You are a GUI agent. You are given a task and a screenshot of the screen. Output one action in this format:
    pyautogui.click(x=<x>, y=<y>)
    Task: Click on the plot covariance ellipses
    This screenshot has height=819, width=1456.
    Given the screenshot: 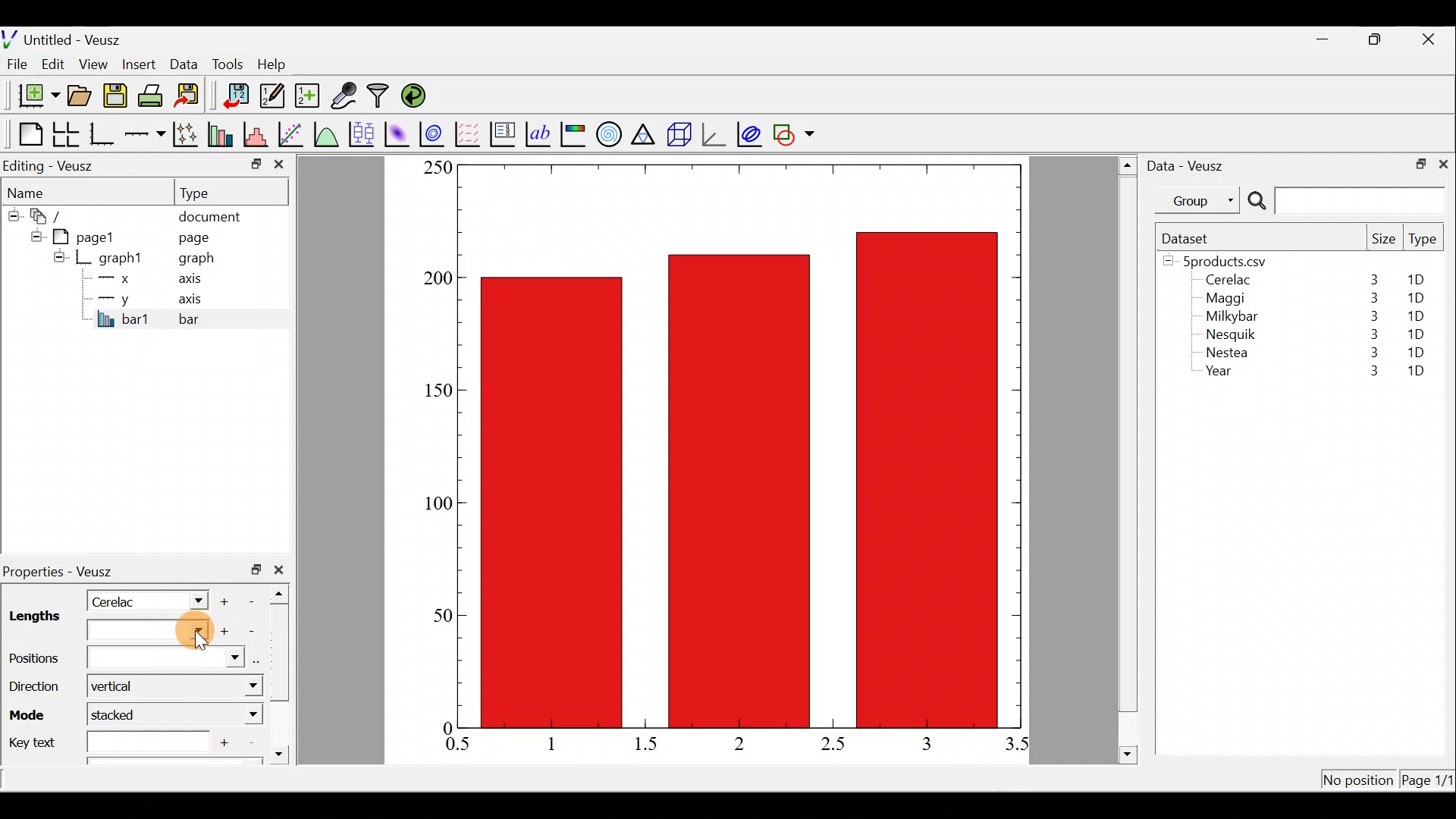 What is the action you would take?
    pyautogui.click(x=751, y=133)
    